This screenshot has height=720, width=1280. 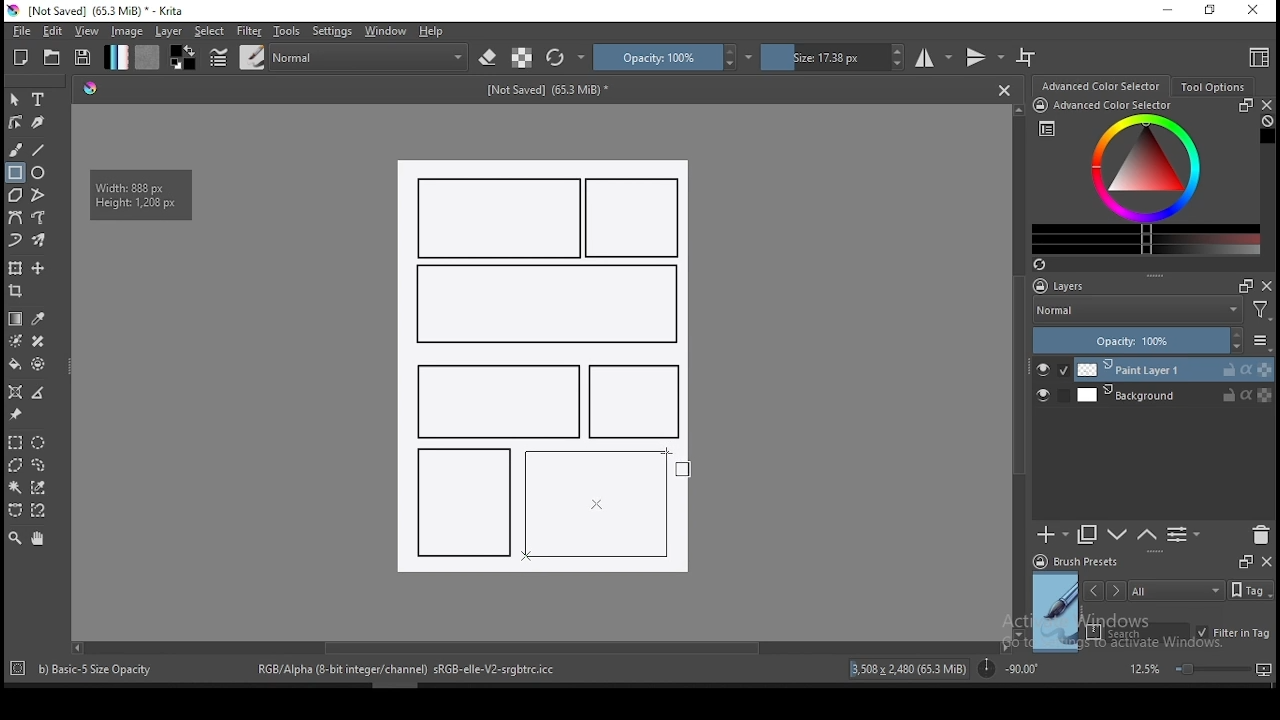 I want to click on active rectangle, so click(x=592, y=504).